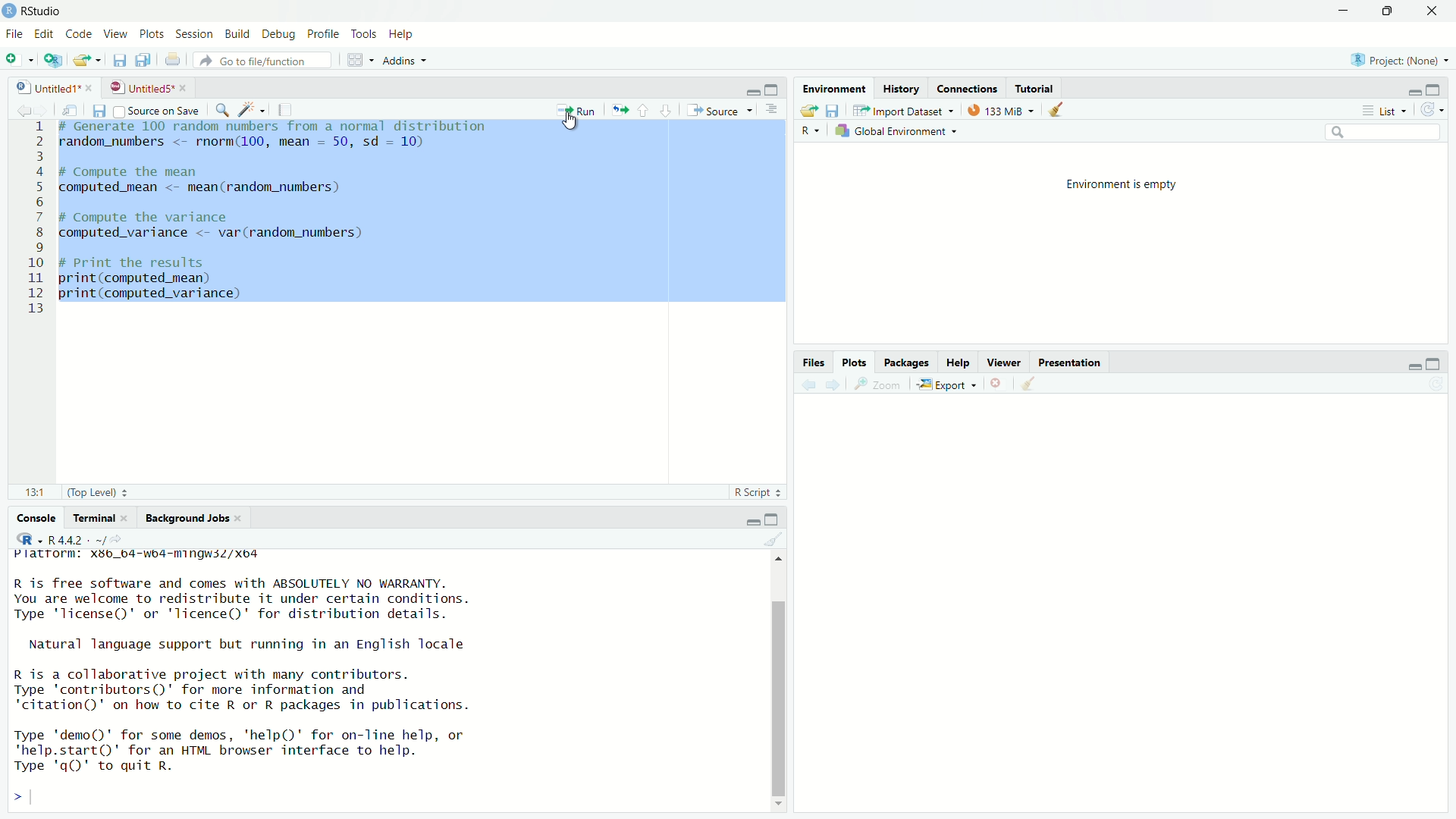  Describe the element at coordinates (1344, 10) in the screenshot. I see `minimize` at that location.